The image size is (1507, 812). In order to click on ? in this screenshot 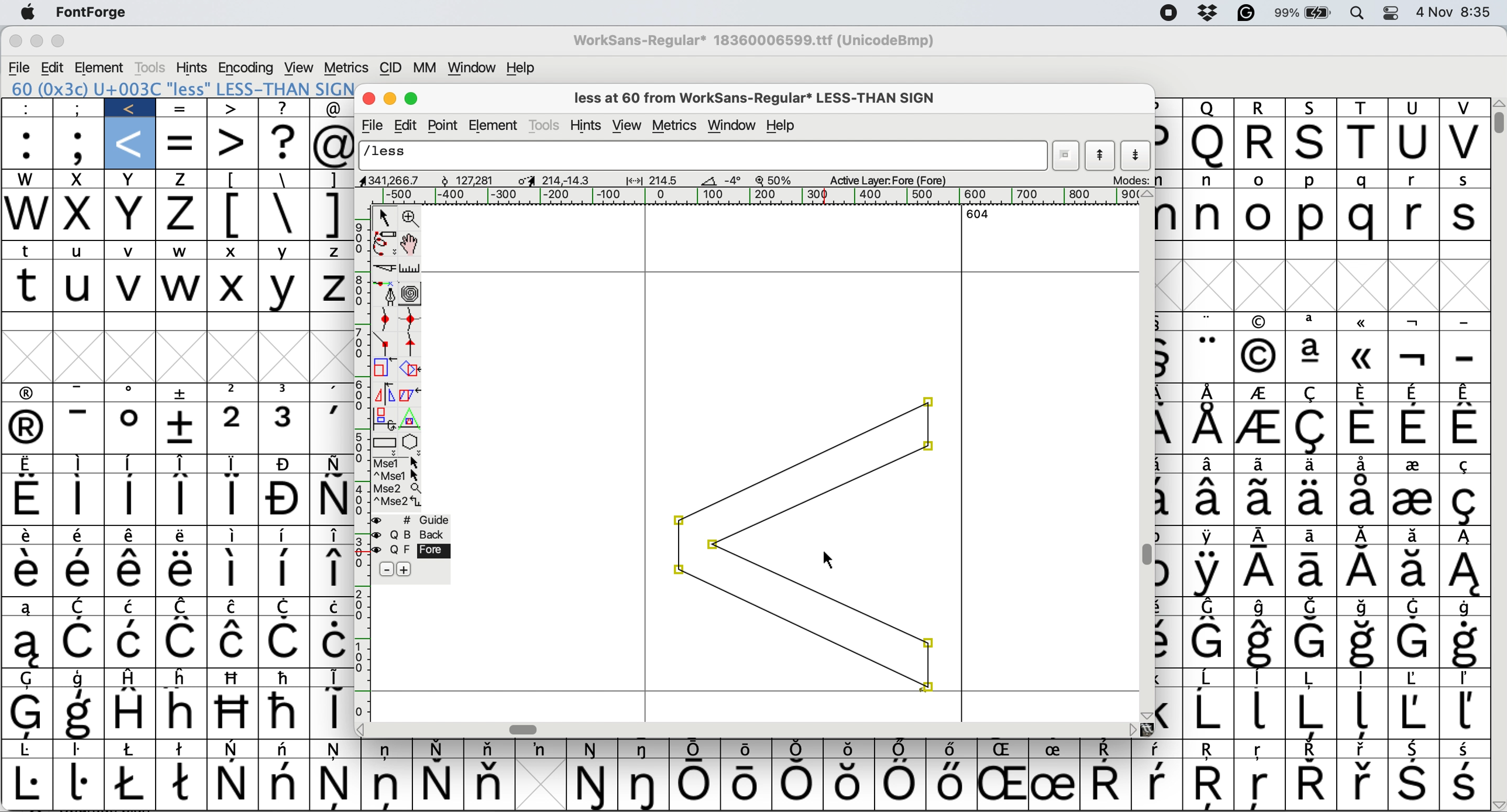, I will do `click(284, 142)`.